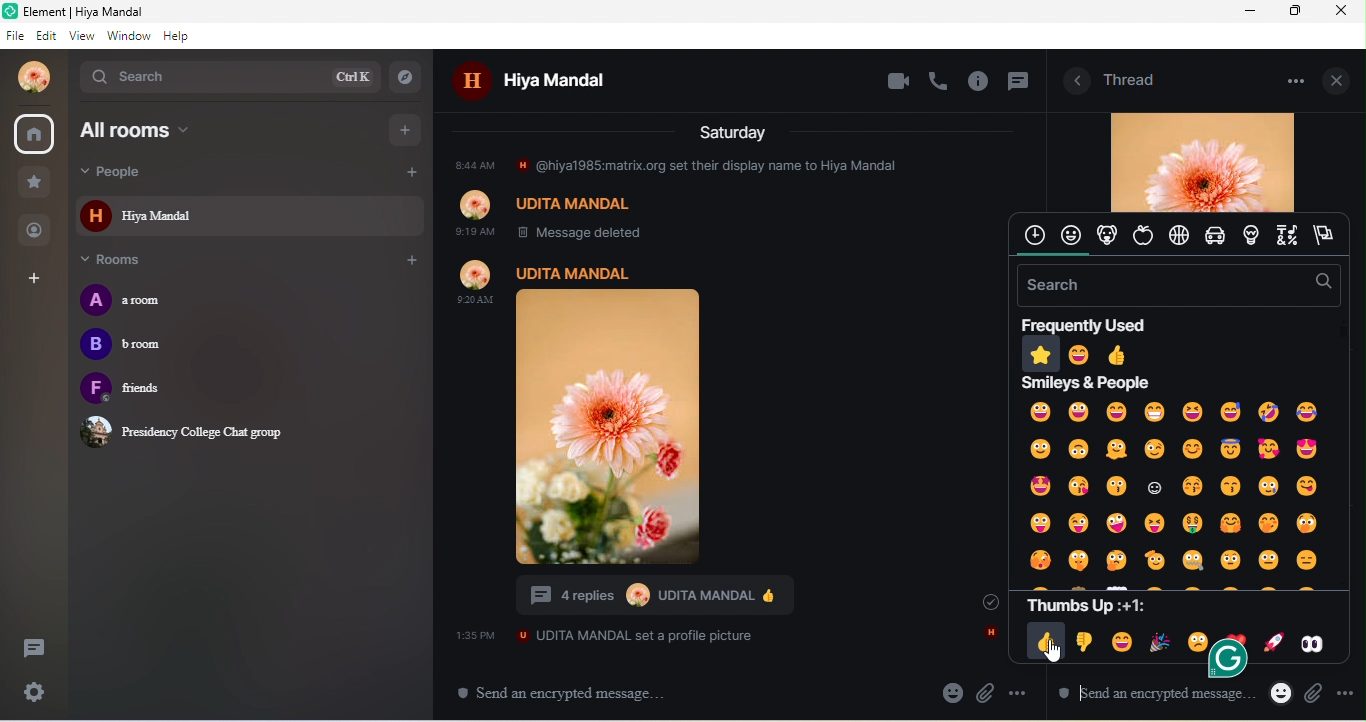 Image resolution: width=1366 pixels, height=722 pixels. Describe the element at coordinates (1147, 698) in the screenshot. I see `send an encrypted message` at that location.